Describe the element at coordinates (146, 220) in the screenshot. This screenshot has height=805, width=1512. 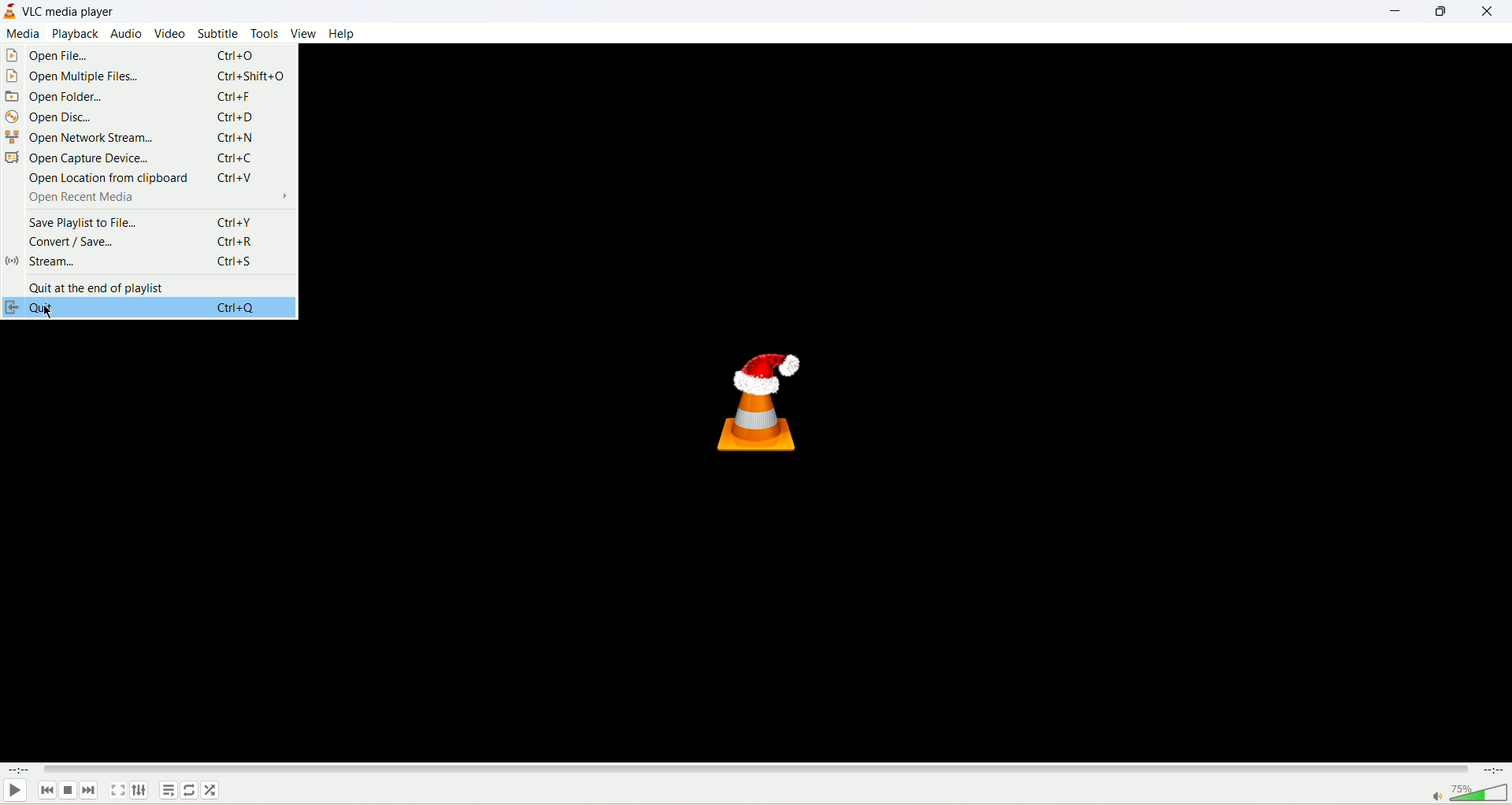
I see `save playlist` at that location.